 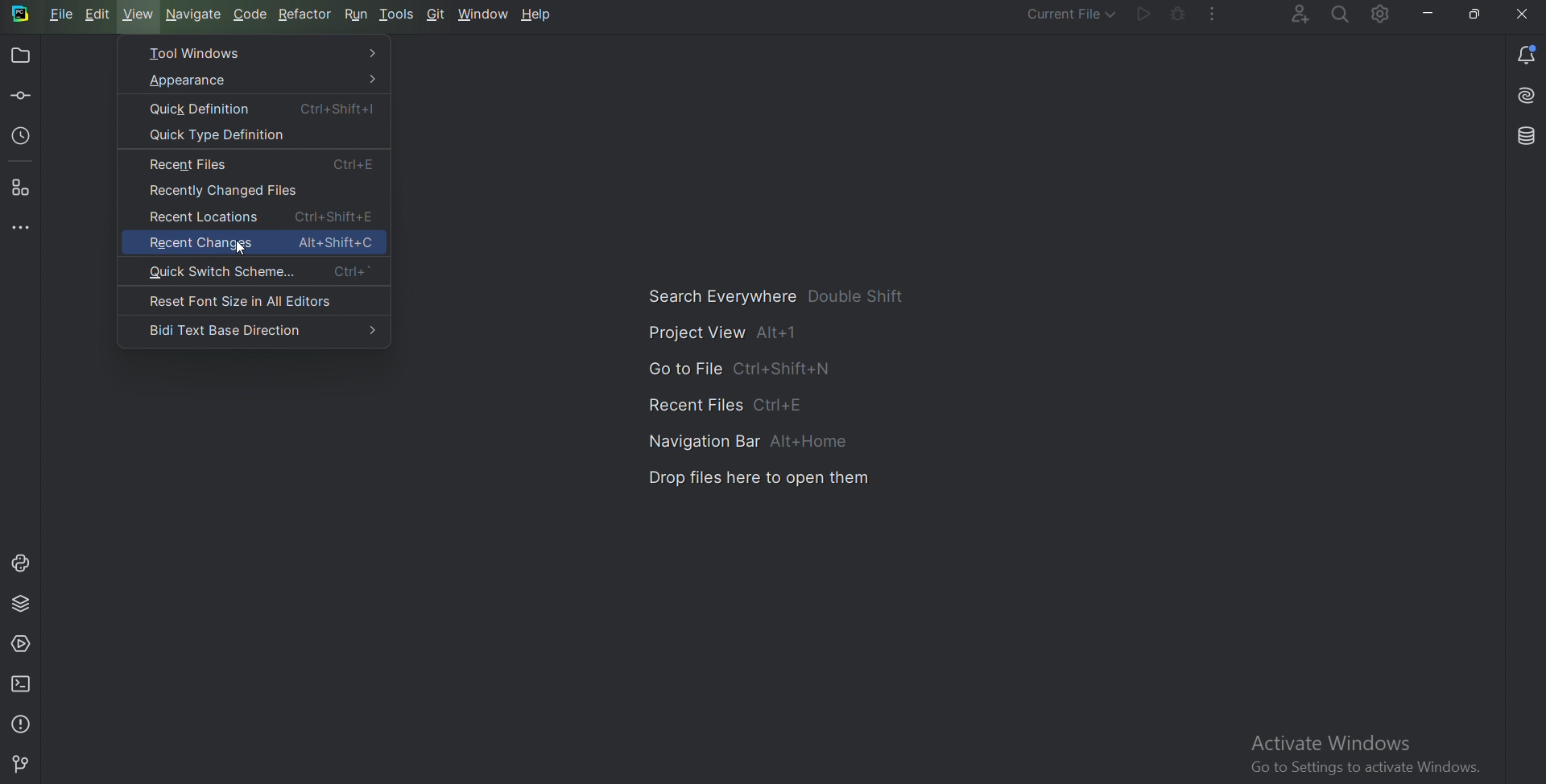 What do you see at coordinates (734, 367) in the screenshot?
I see `Go to file` at bounding box center [734, 367].